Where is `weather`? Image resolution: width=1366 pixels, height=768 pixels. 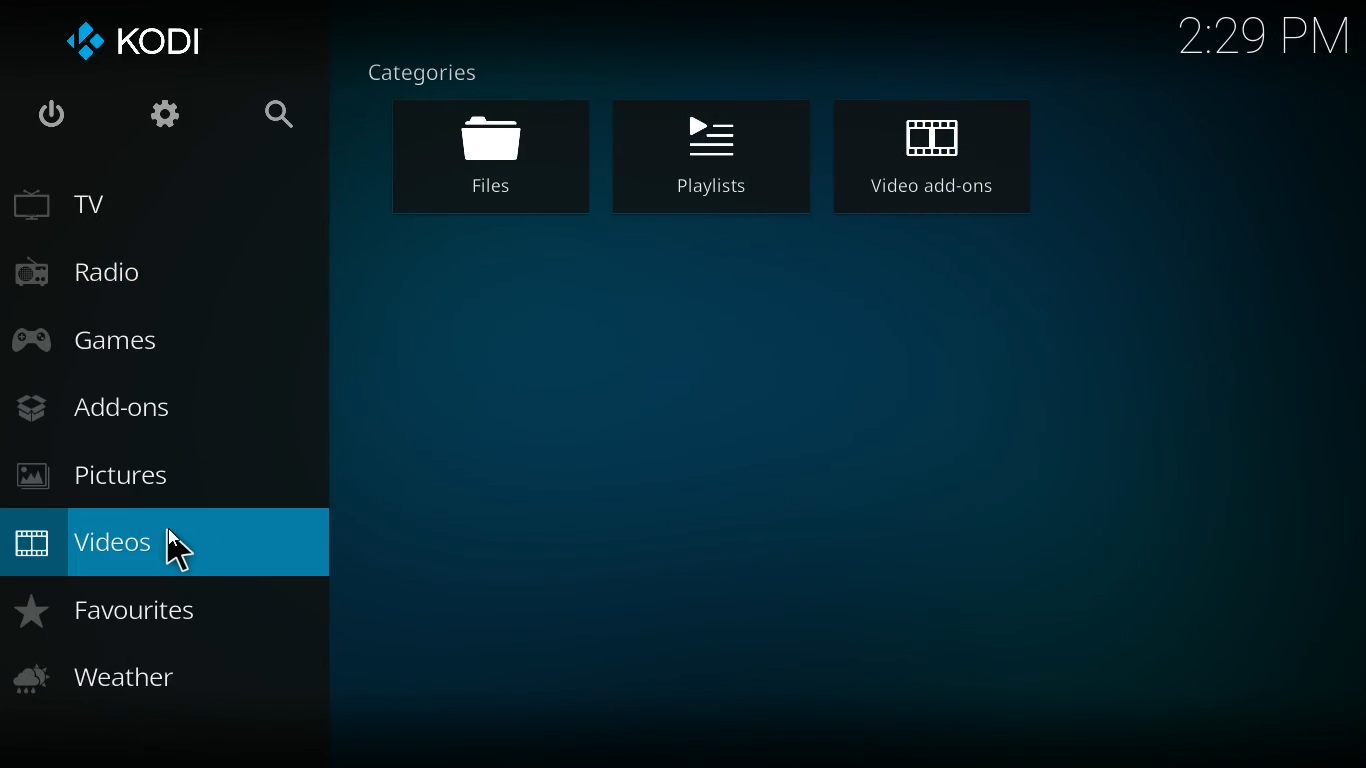 weather is located at coordinates (159, 679).